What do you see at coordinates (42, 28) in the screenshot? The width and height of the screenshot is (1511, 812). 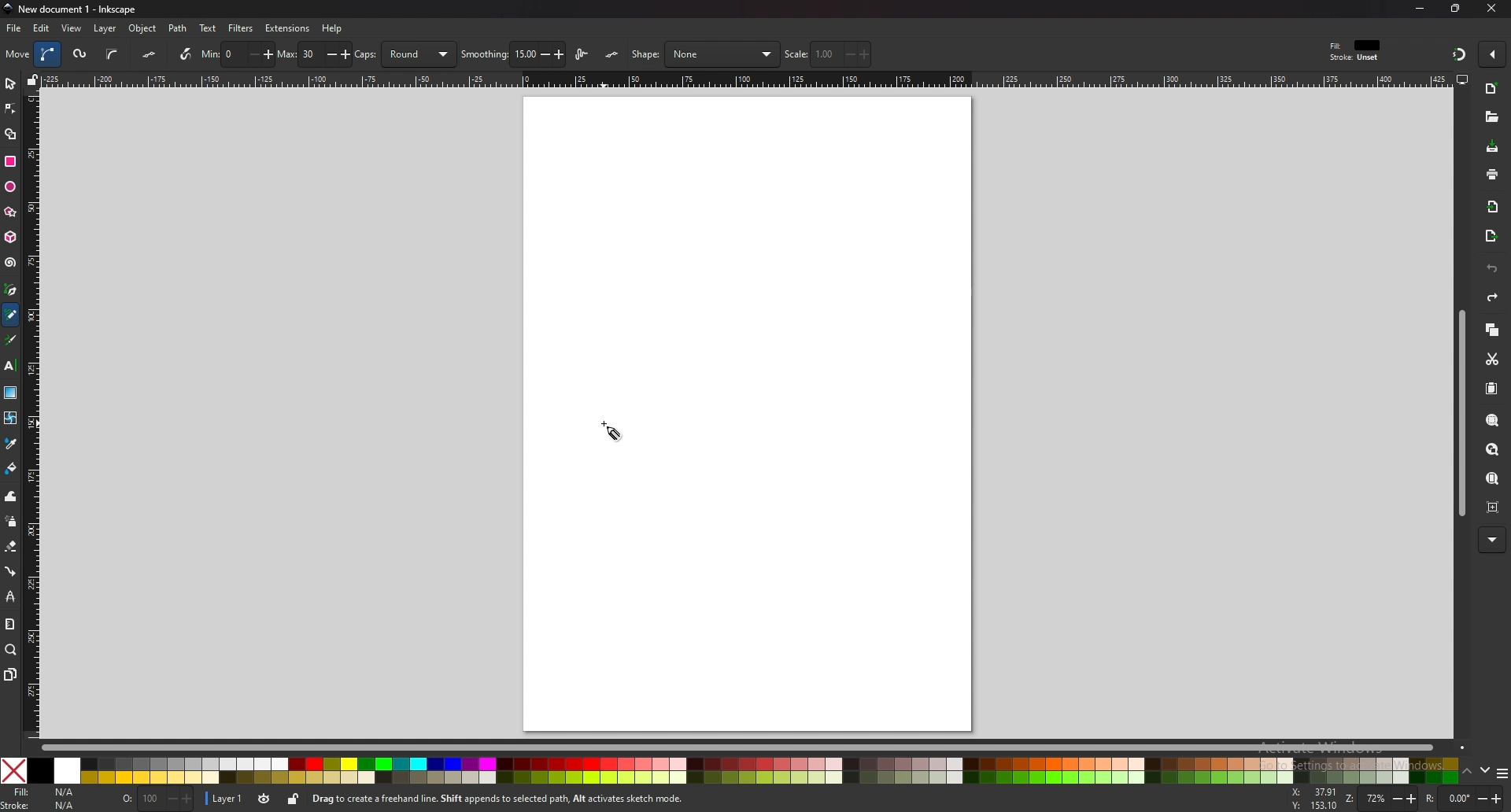 I see `edit` at bounding box center [42, 28].